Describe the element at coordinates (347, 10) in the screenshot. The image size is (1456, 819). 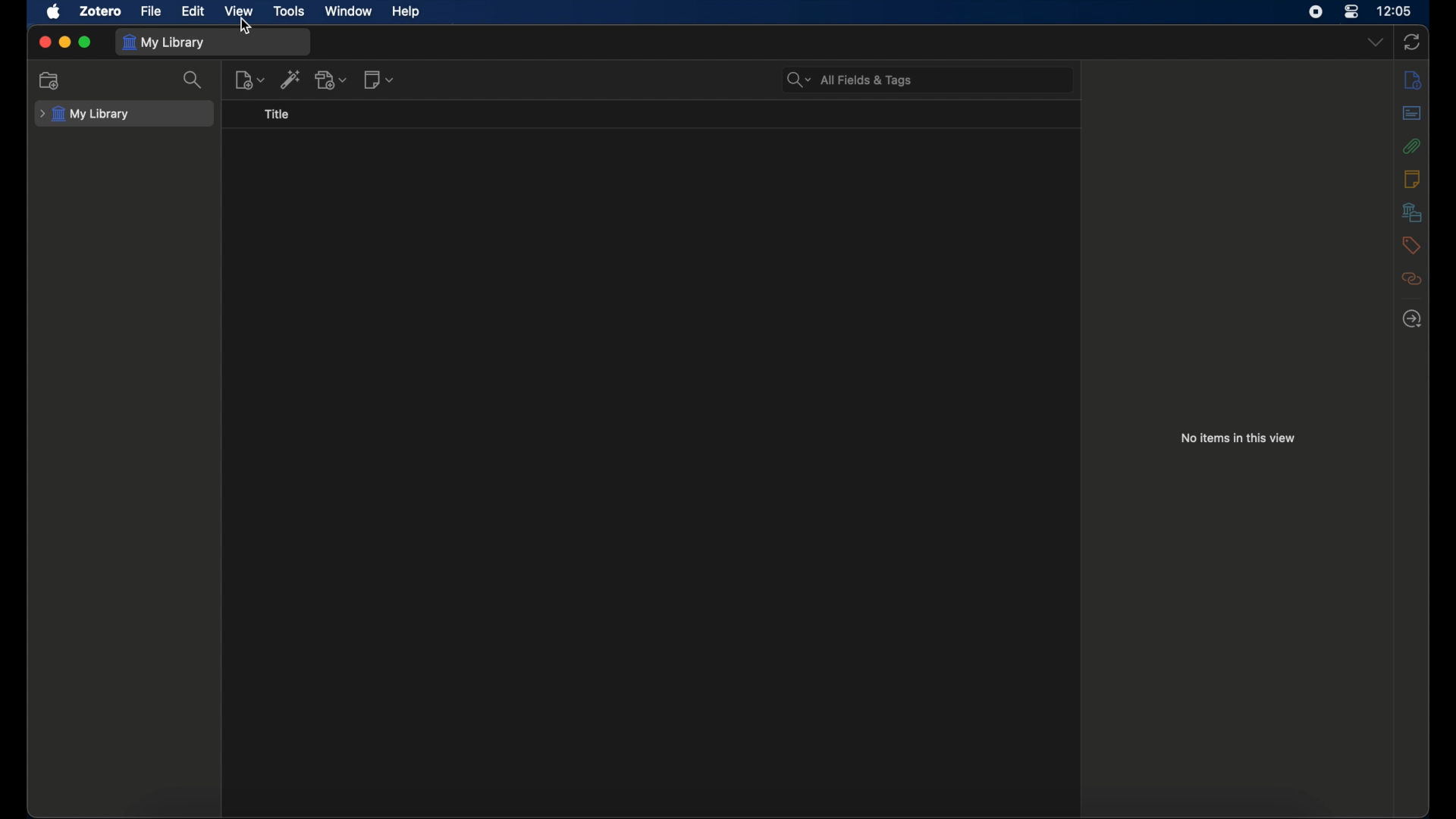
I see `window` at that location.